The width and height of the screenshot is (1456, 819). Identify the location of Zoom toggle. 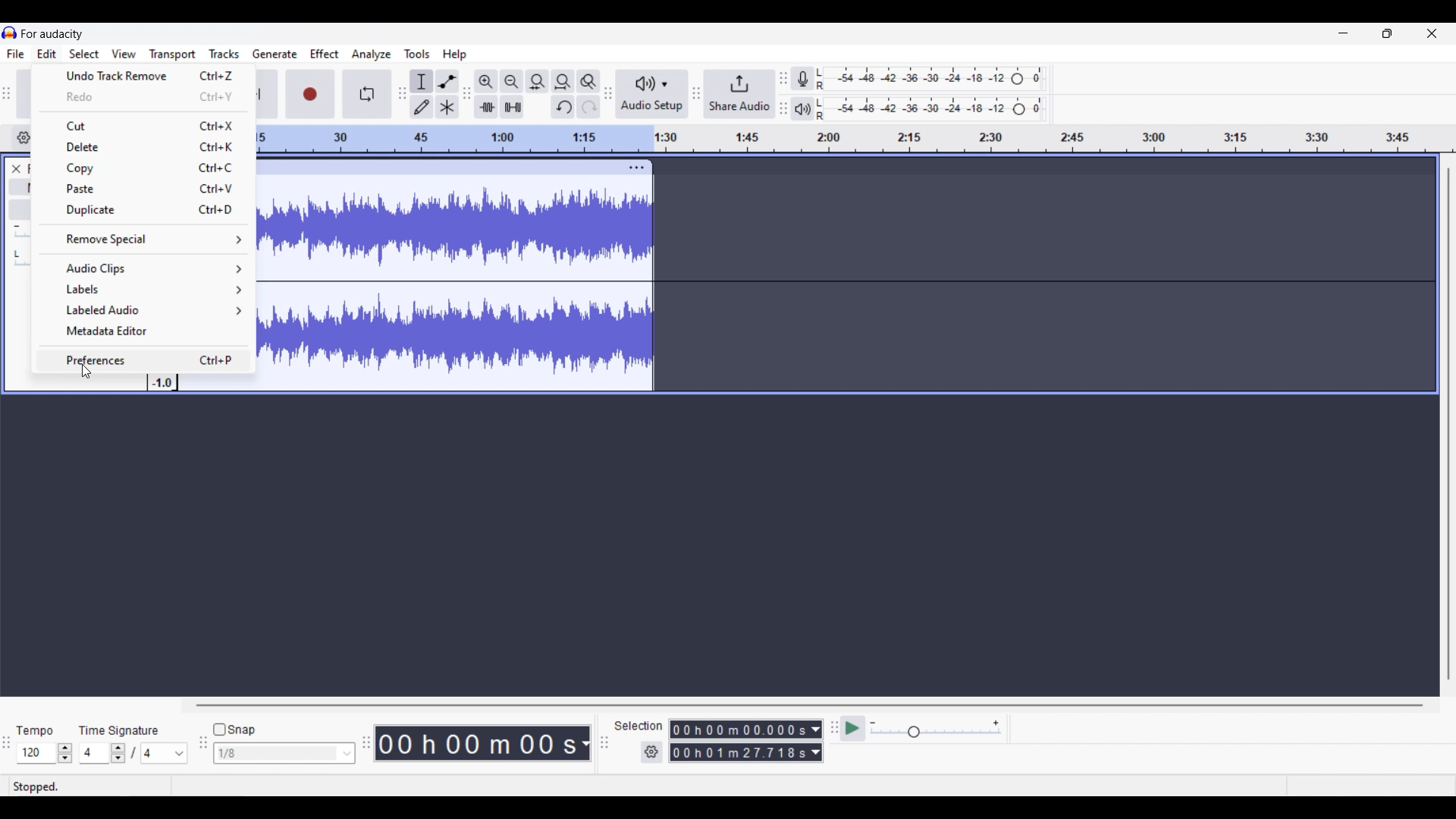
(588, 82).